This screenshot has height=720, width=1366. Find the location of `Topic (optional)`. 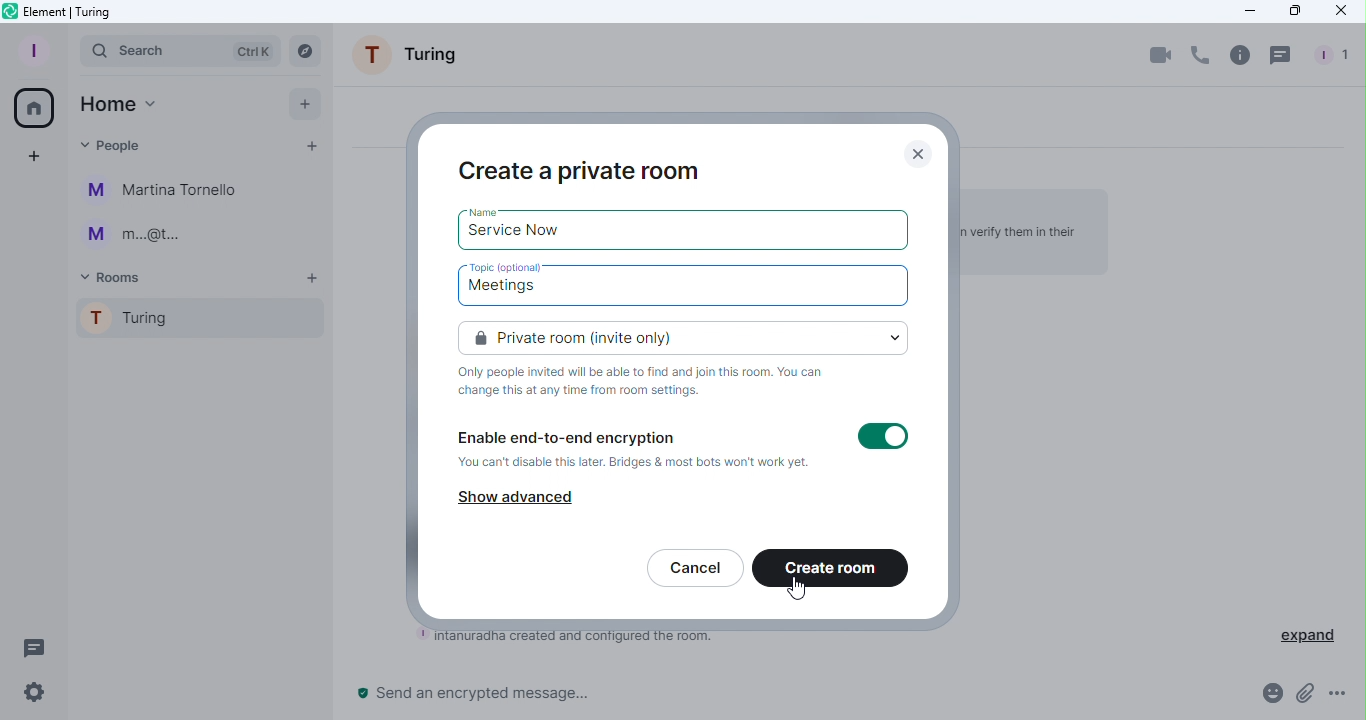

Topic (optional) is located at coordinates (512, 268).